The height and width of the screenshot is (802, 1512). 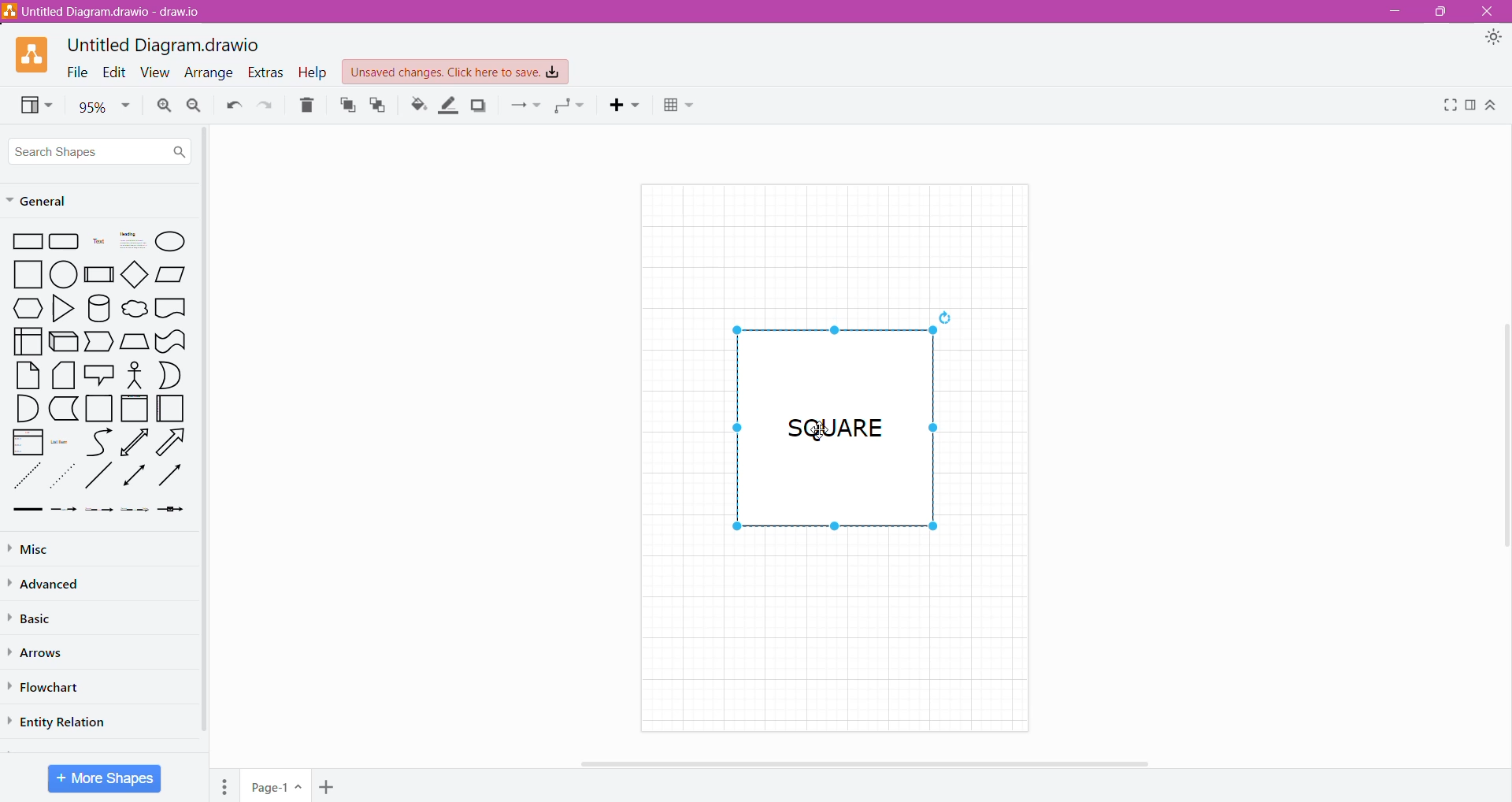 I want to click on Dotted Arrow, so click(x=136, y=513).